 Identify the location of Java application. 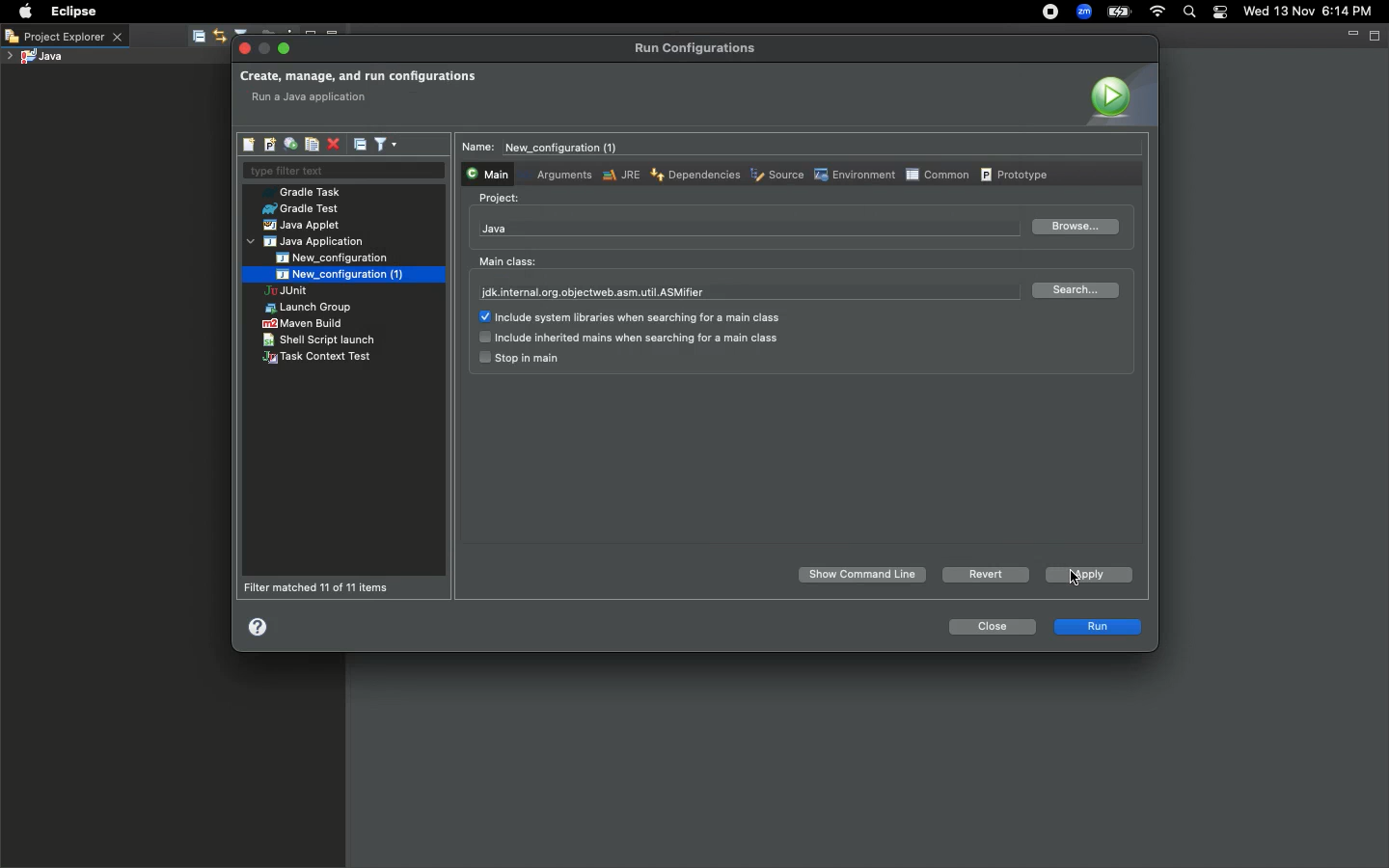
(308, 242).